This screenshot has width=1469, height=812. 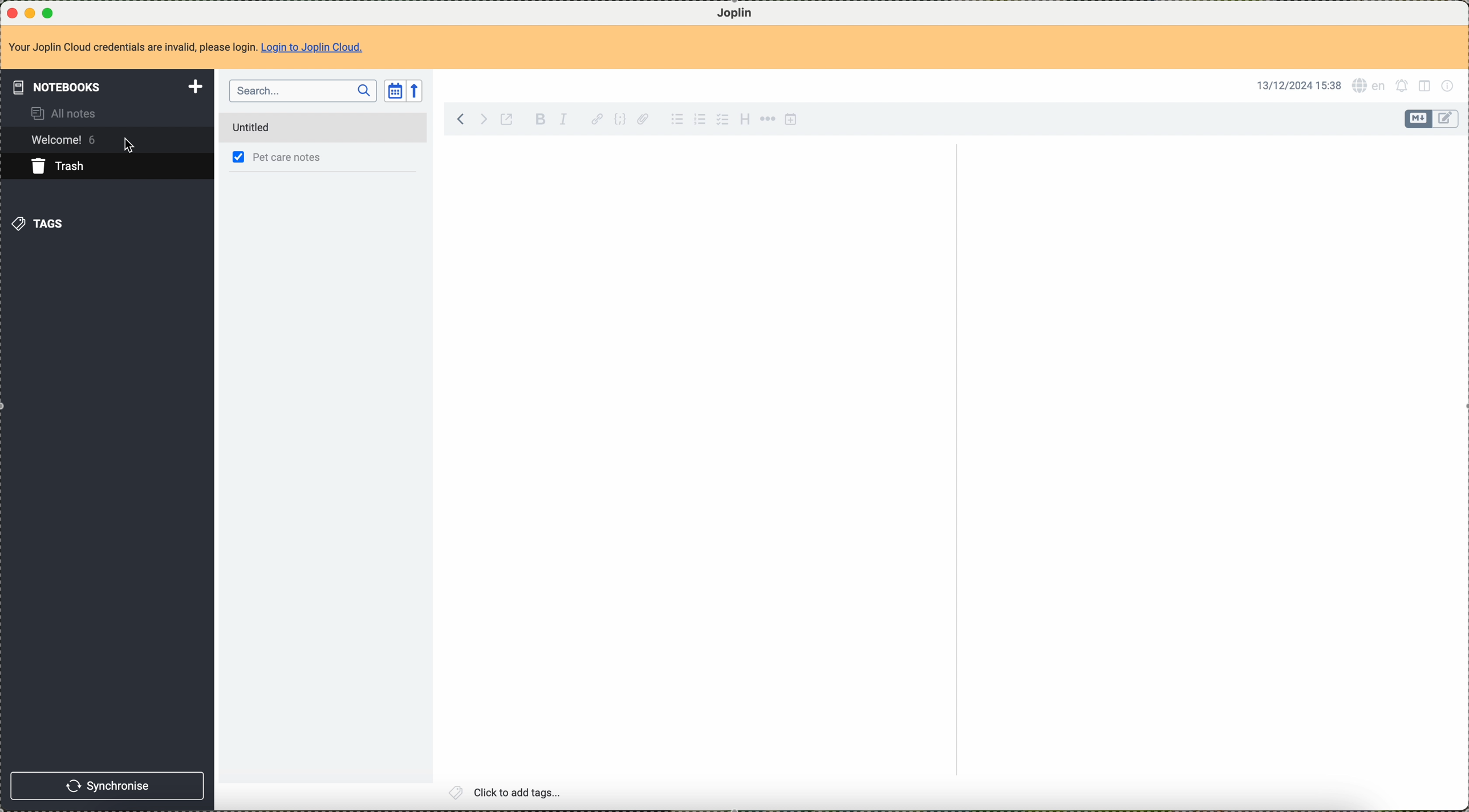 What do you see at coordinates (420, 91) in the screenshot?
I see `reverse sort order` at bounding box center [420, 91].